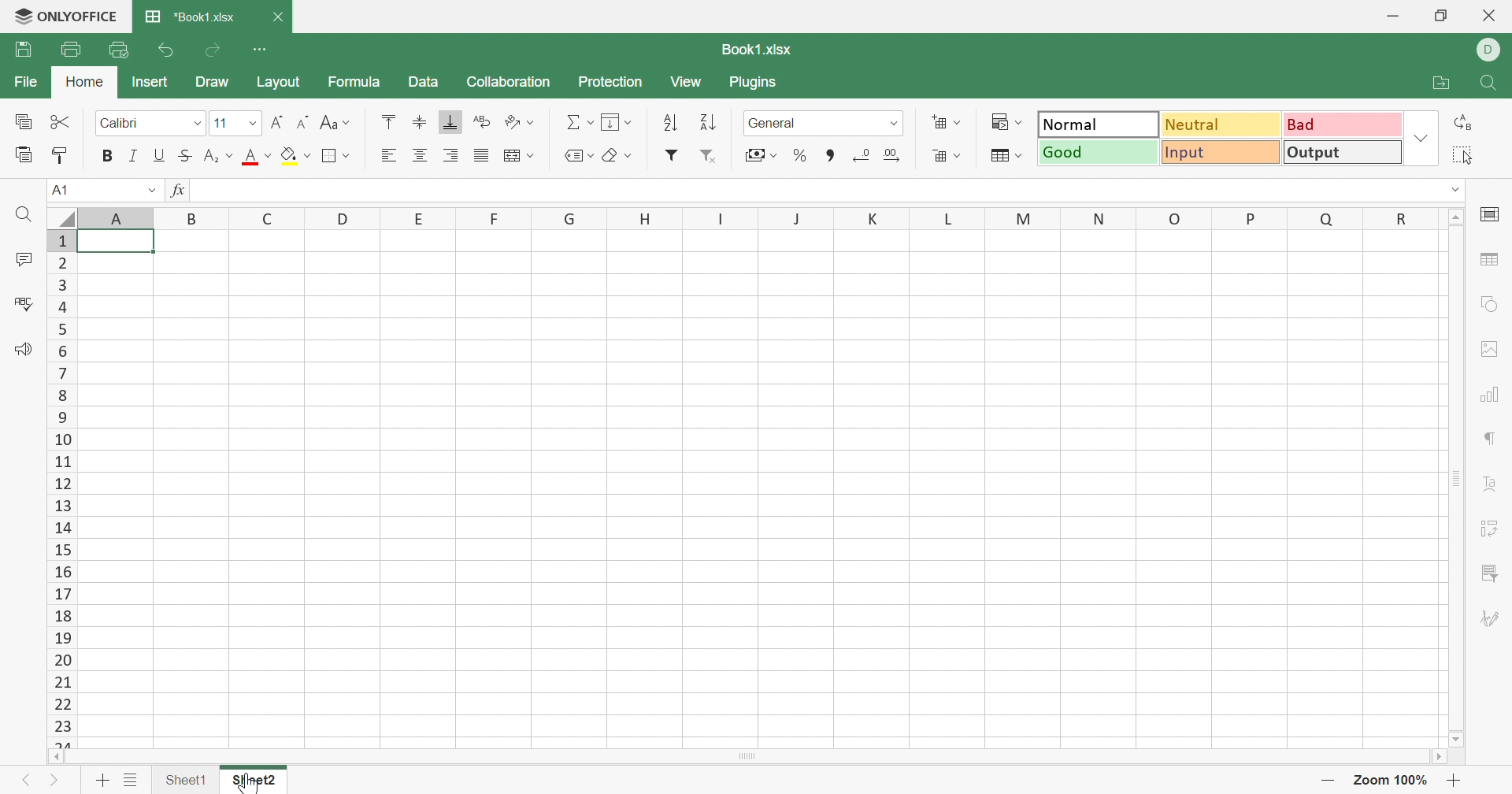 The width and height of the screenshot is (1512, 794). Describe the element at coordinates (1217, 154) in the screenshot. I see `Input` at that location.